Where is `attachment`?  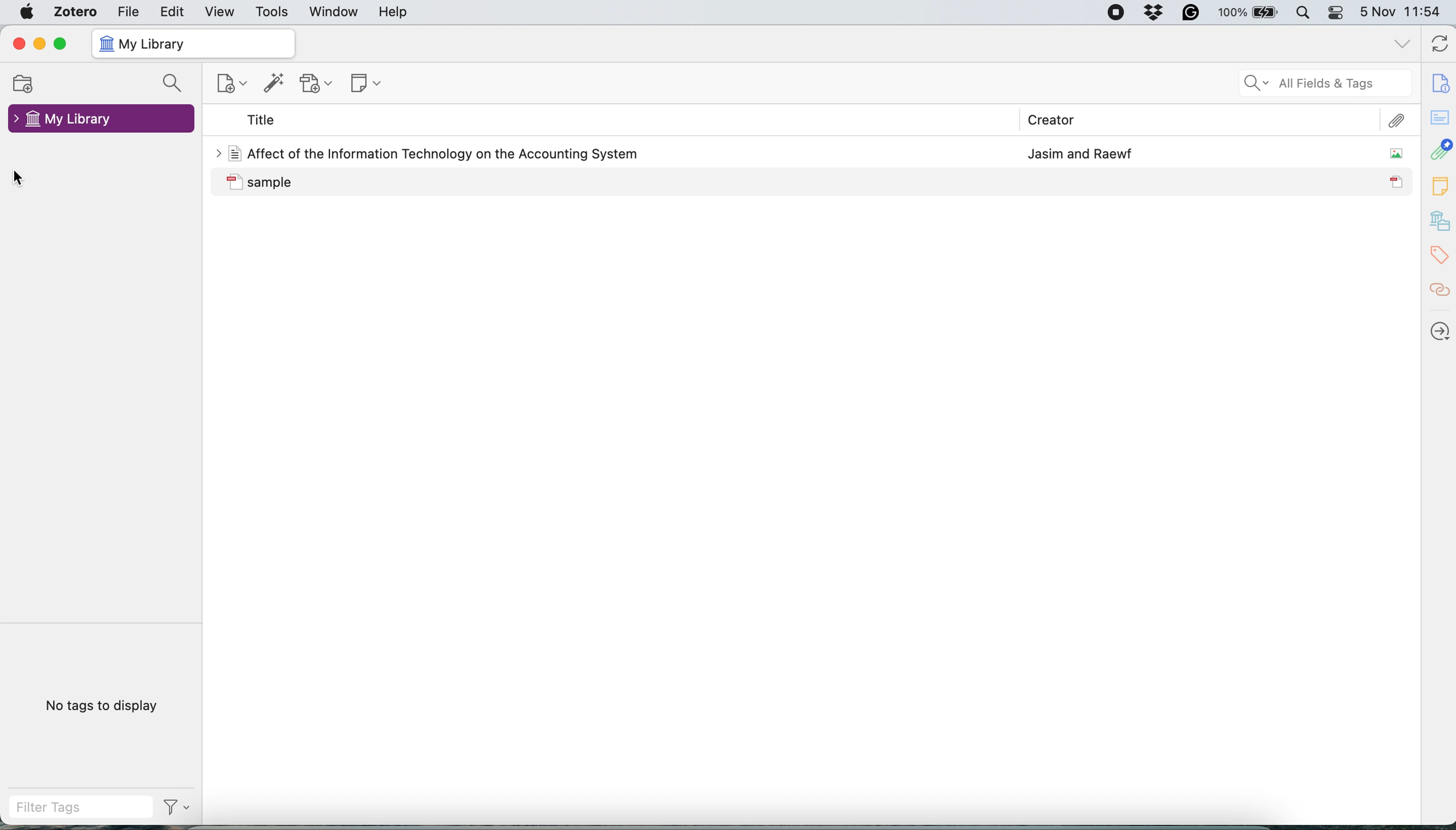
attachment is located at coordinates (1400, 120).